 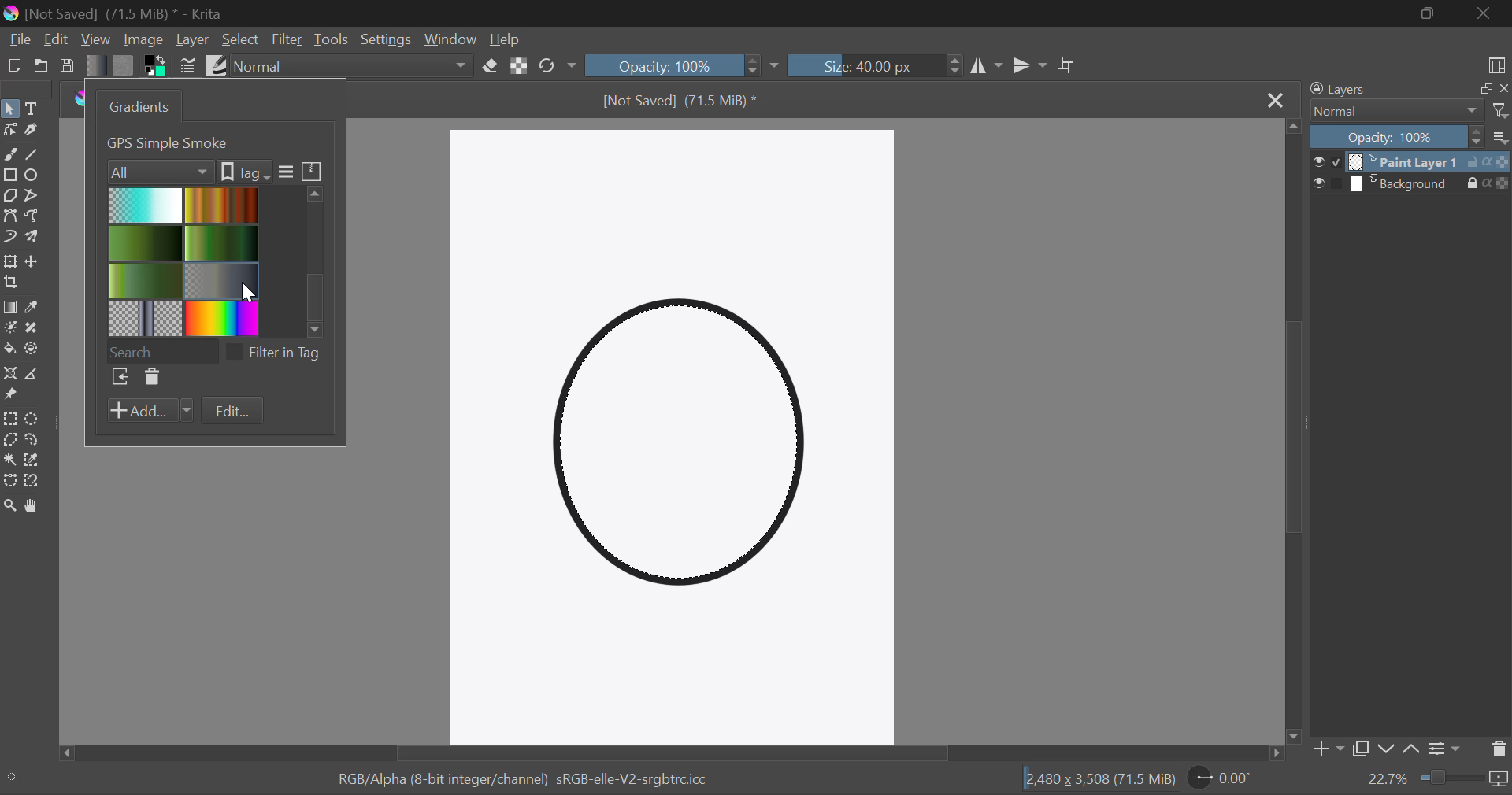 What do you see at coordinates (14, 15) in the screenshot?
I see `logo` at bounding box center [14, 15].